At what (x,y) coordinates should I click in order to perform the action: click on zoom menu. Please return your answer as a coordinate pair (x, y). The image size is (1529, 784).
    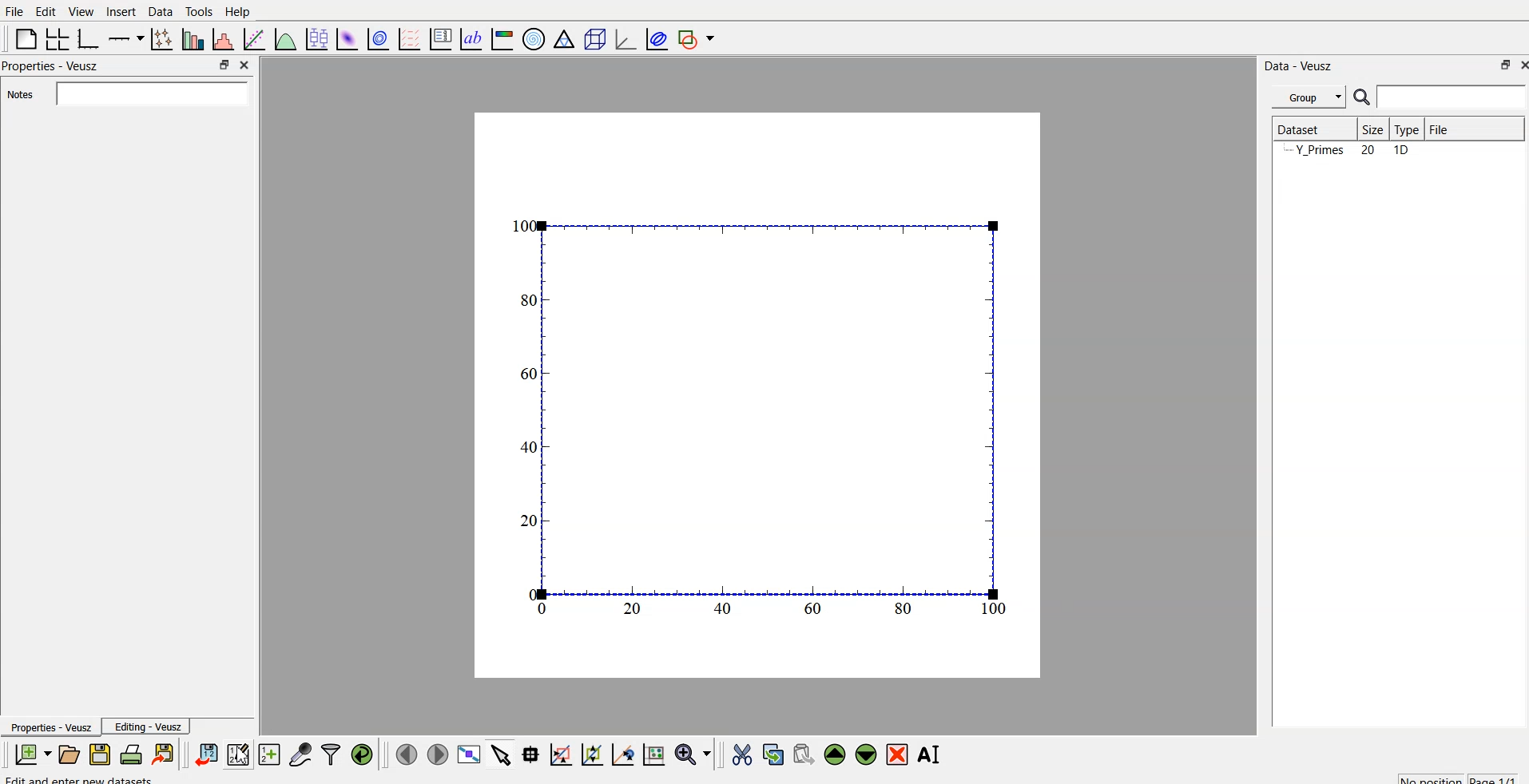
    Looking at the image, I should click on (693, 754).